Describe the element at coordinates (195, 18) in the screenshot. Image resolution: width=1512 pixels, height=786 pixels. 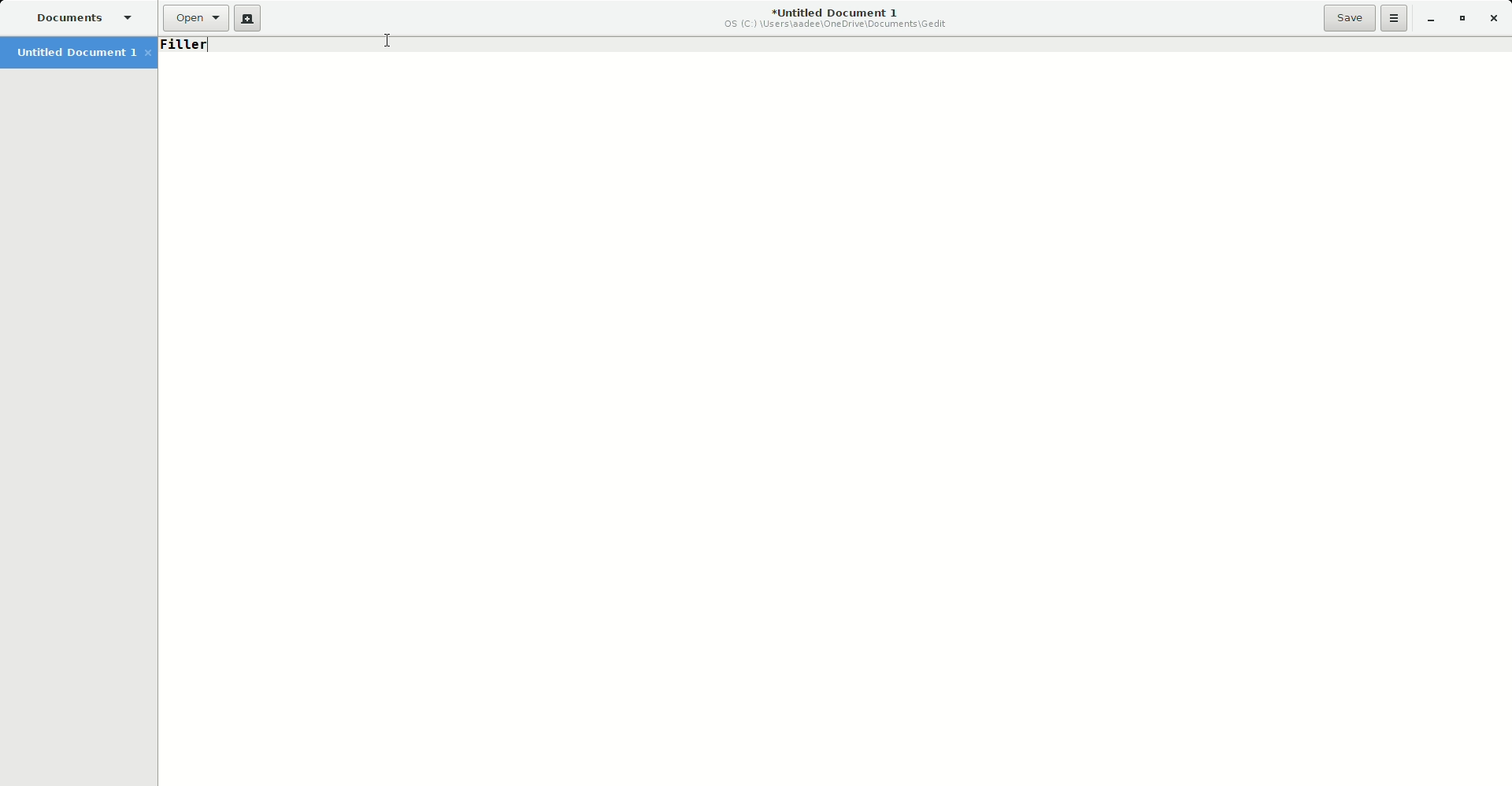
I see `Open` at that location.